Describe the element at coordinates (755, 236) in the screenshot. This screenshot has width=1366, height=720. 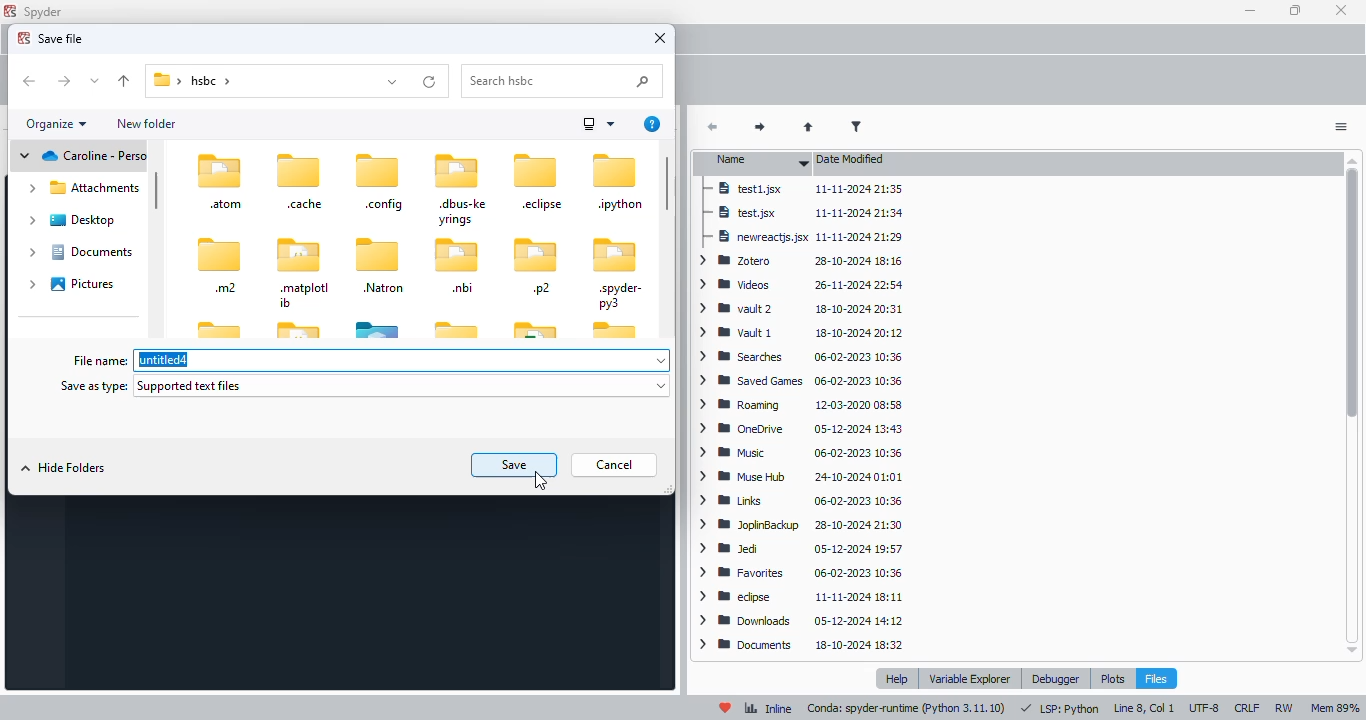
I see `newreactjs.jsx` at that location.